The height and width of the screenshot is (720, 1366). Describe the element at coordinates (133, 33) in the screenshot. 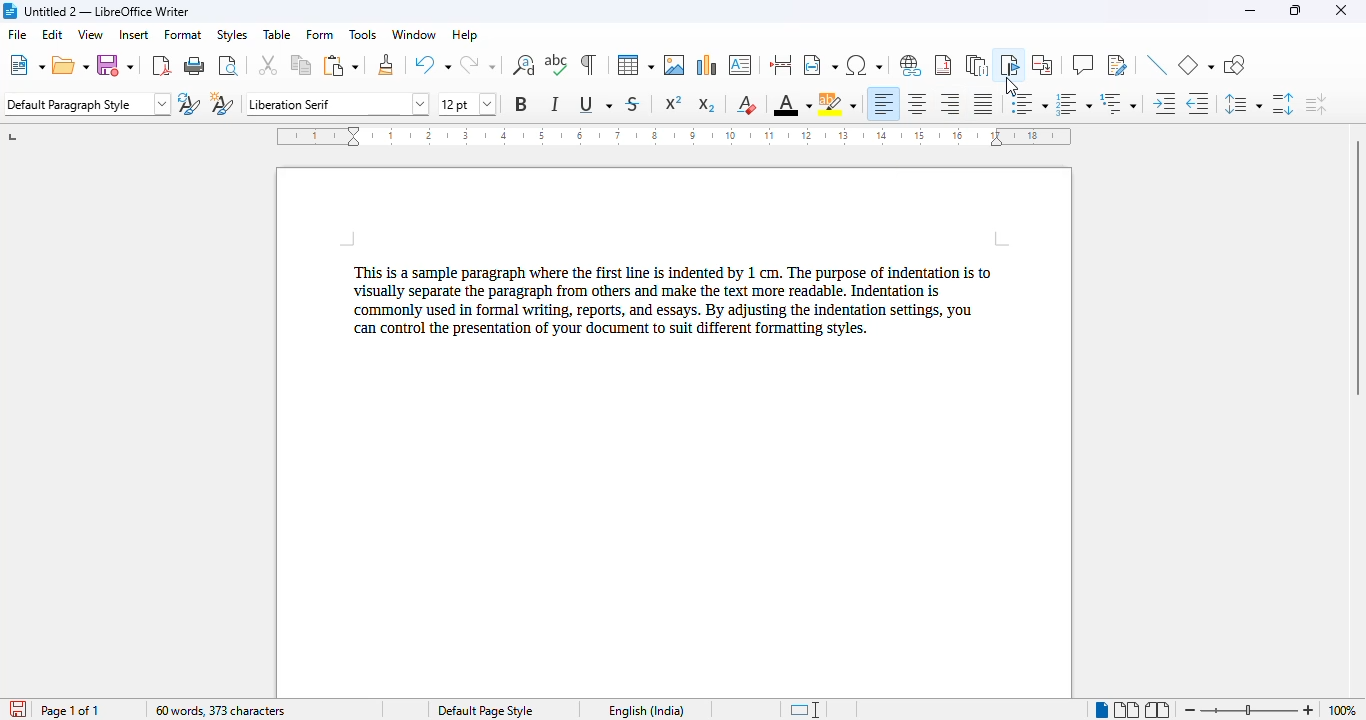

I see `insert` at that location.